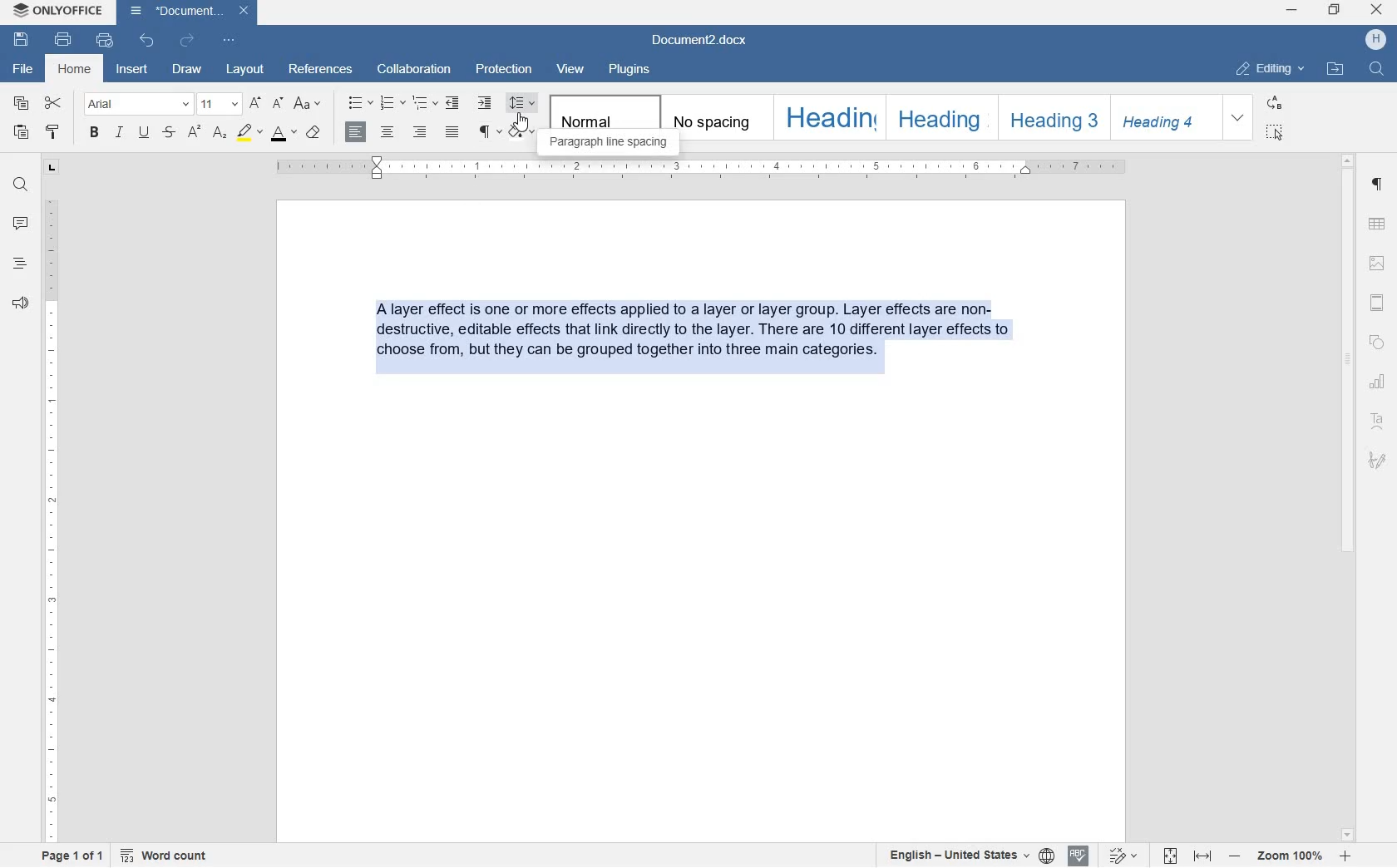  I want to click on block of text written by user highlighted, so click(692, 338).